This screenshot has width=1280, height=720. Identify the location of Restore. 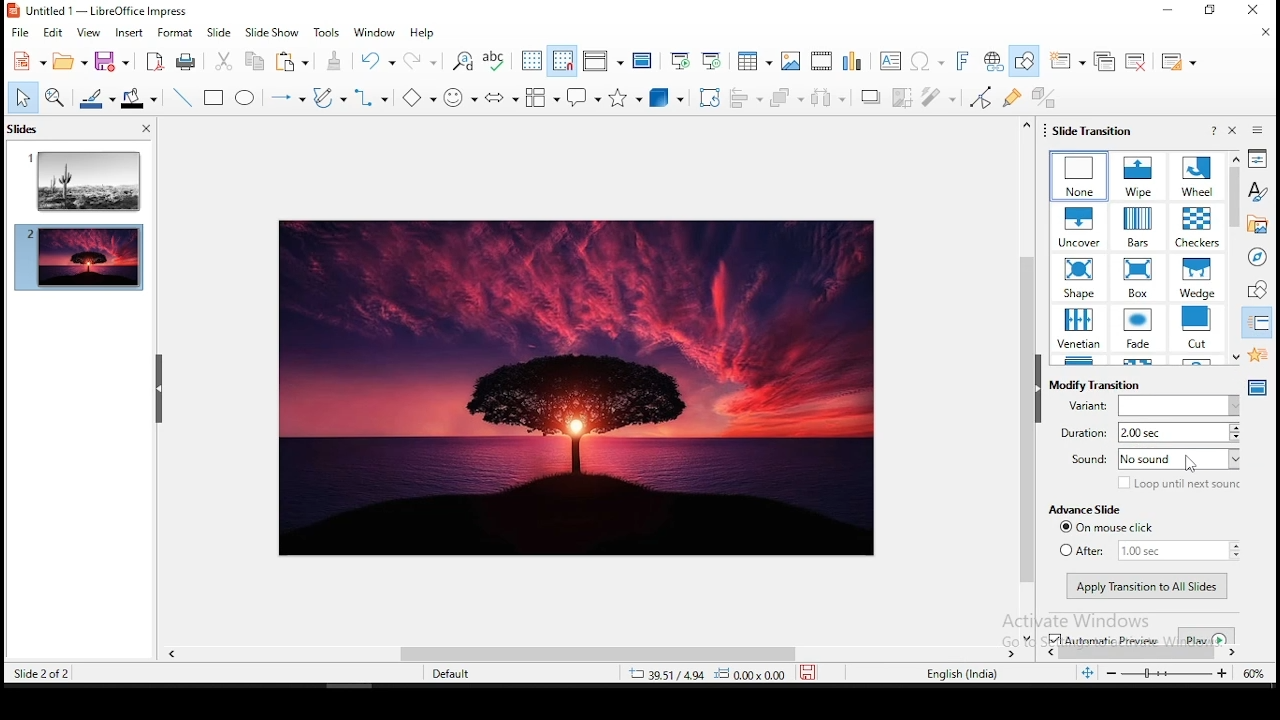
(1207, 10).